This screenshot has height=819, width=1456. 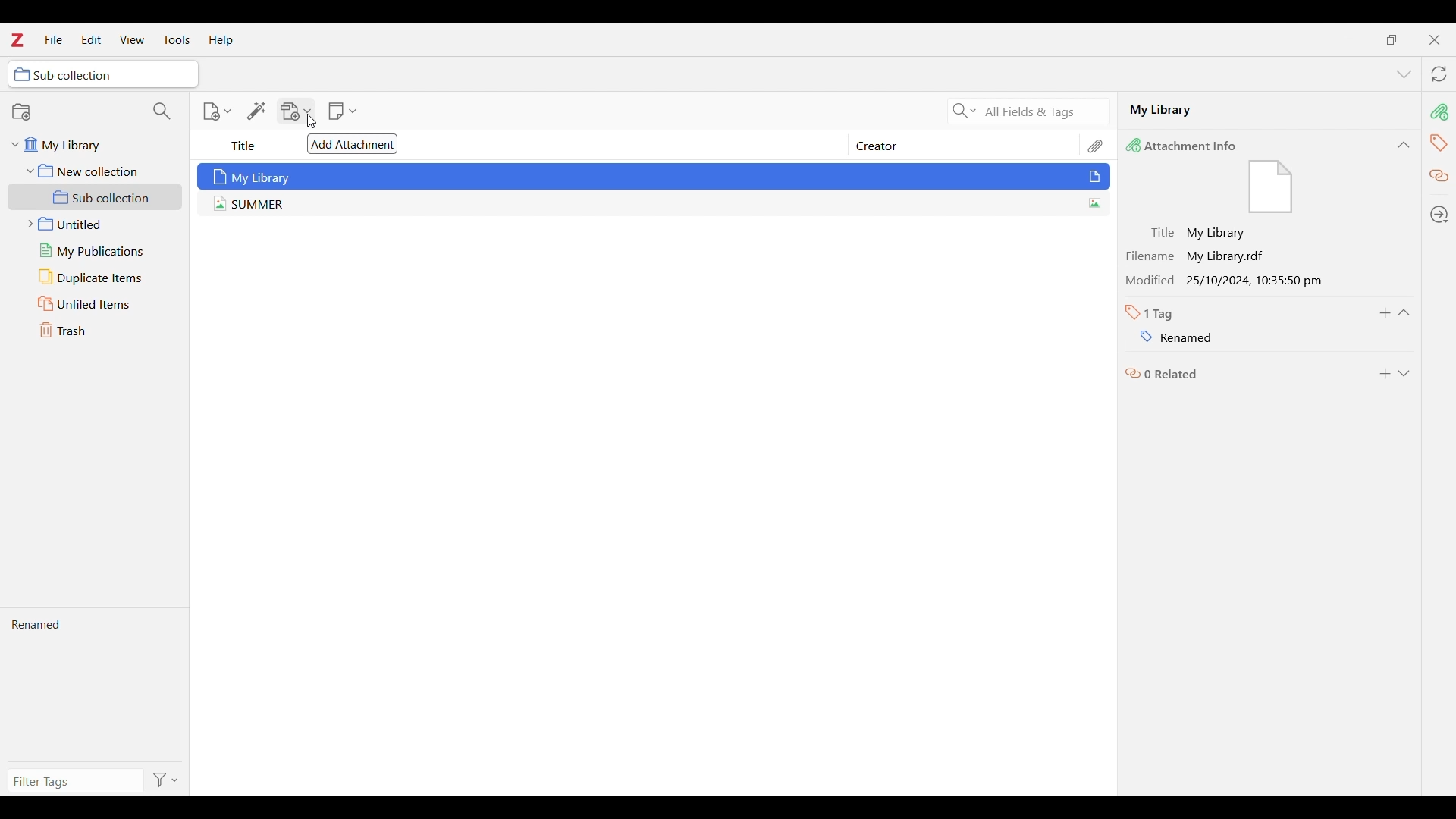 I want to click on View menu, so click(x=131, y=39).